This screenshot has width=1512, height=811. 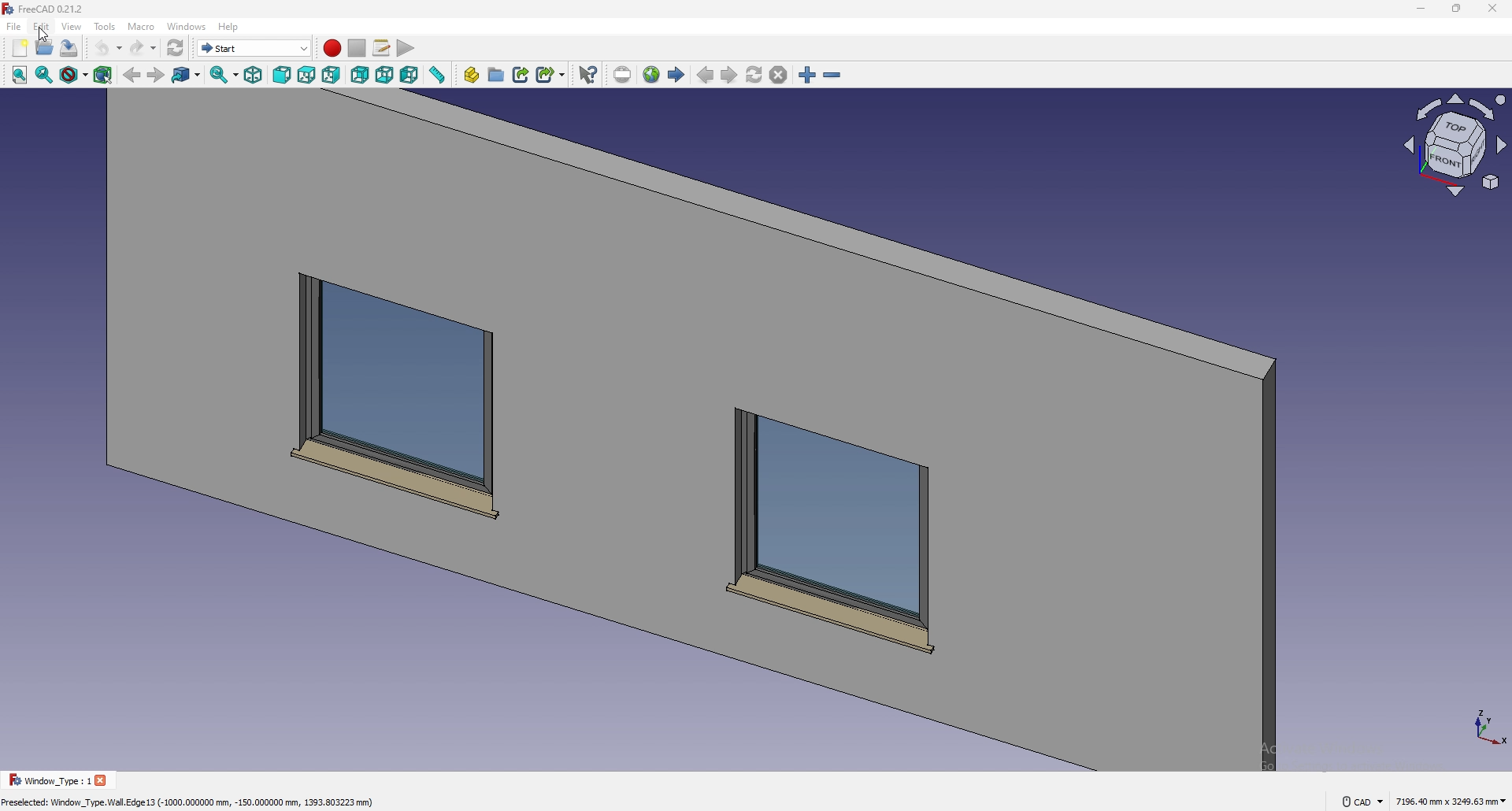 I want to click on previous page, so click(x=706, y=76).